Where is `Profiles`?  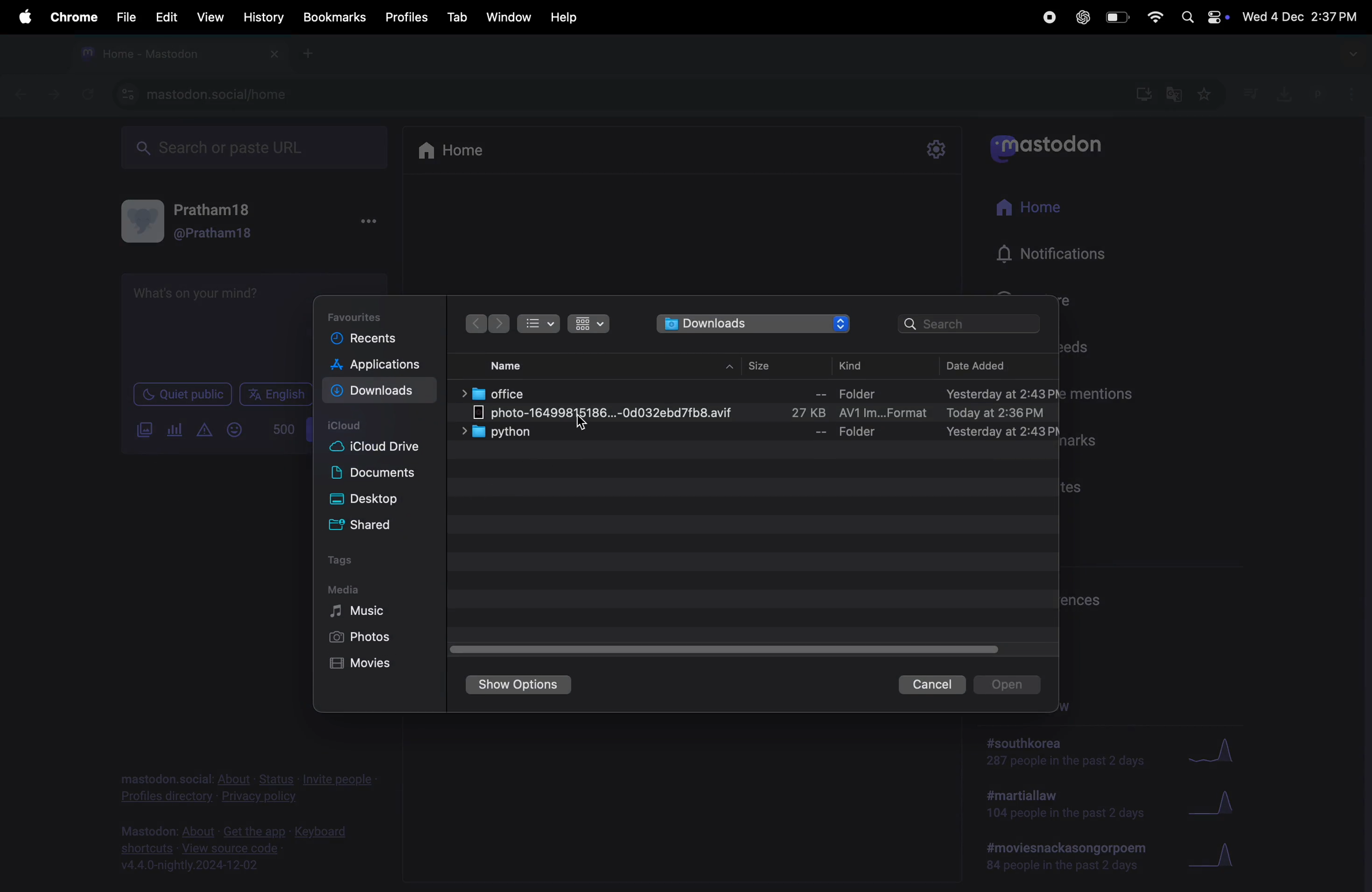 Profiles is located at coordinates (408, 14).